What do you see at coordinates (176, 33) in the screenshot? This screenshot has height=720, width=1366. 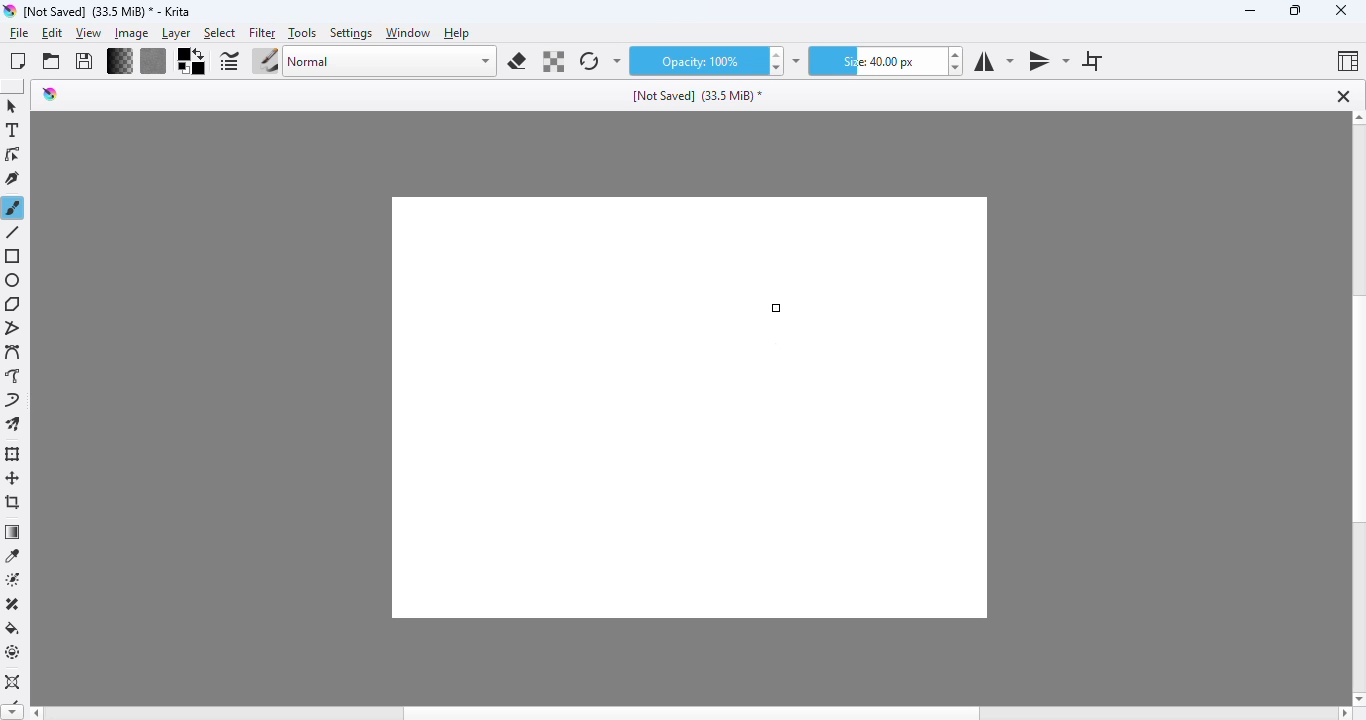 I see `layer` at bounding box center [176, 33].